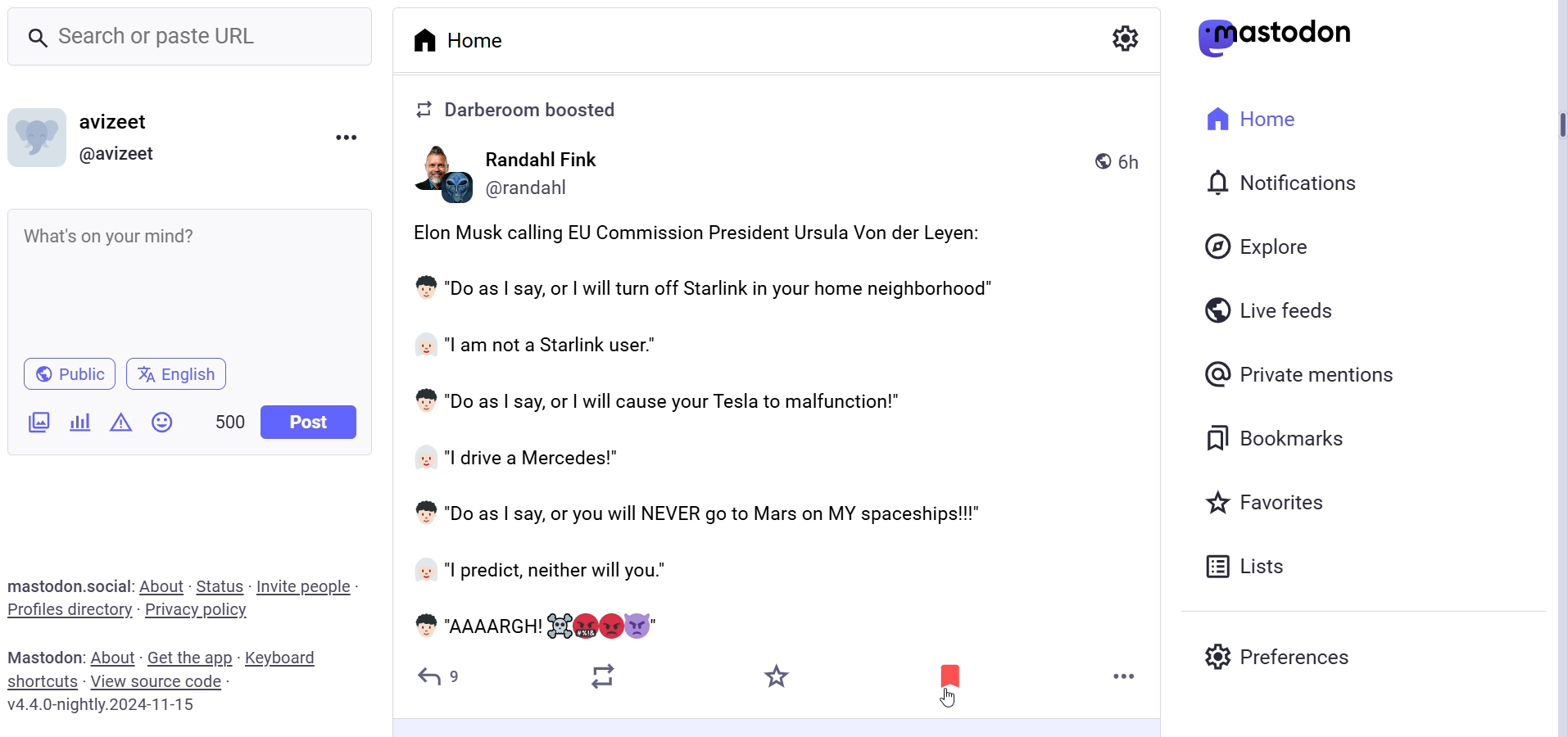 This screenshot has width=1568, height=737. I want to click on Emojis, so click(164, 421).